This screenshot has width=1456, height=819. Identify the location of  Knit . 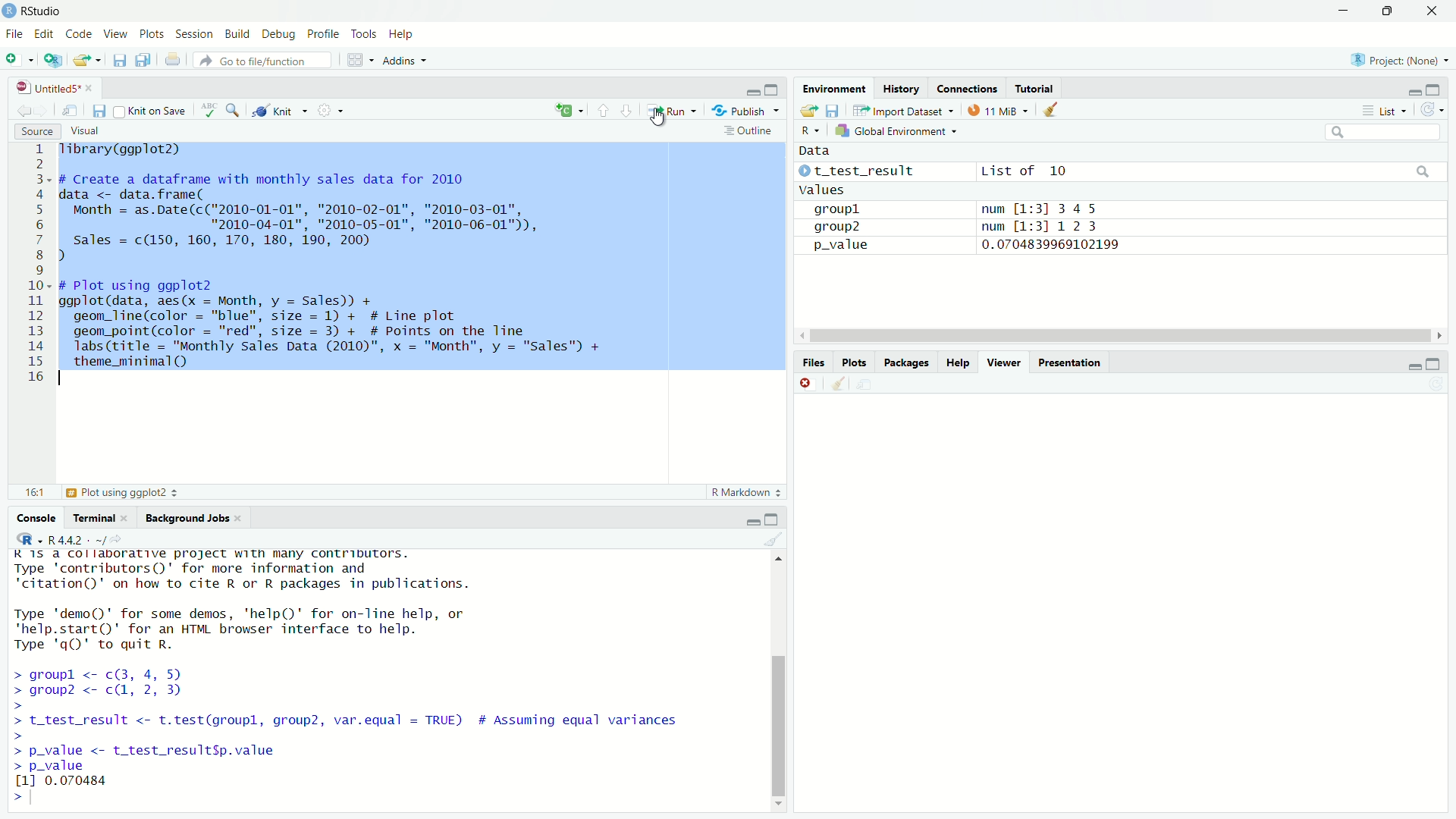
(281, 110).